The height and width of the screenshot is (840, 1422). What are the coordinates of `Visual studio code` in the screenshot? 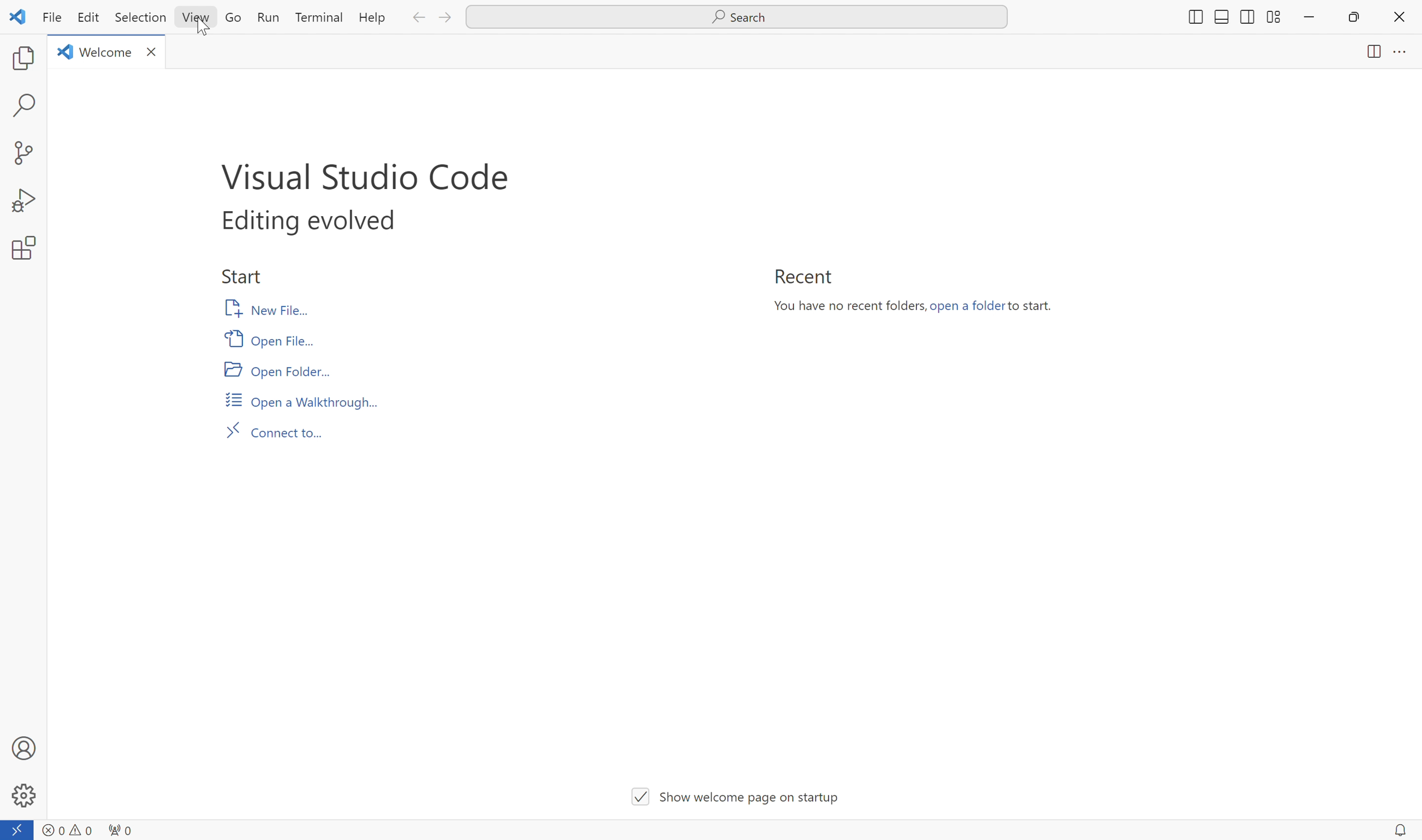 It's located at (373, 178).